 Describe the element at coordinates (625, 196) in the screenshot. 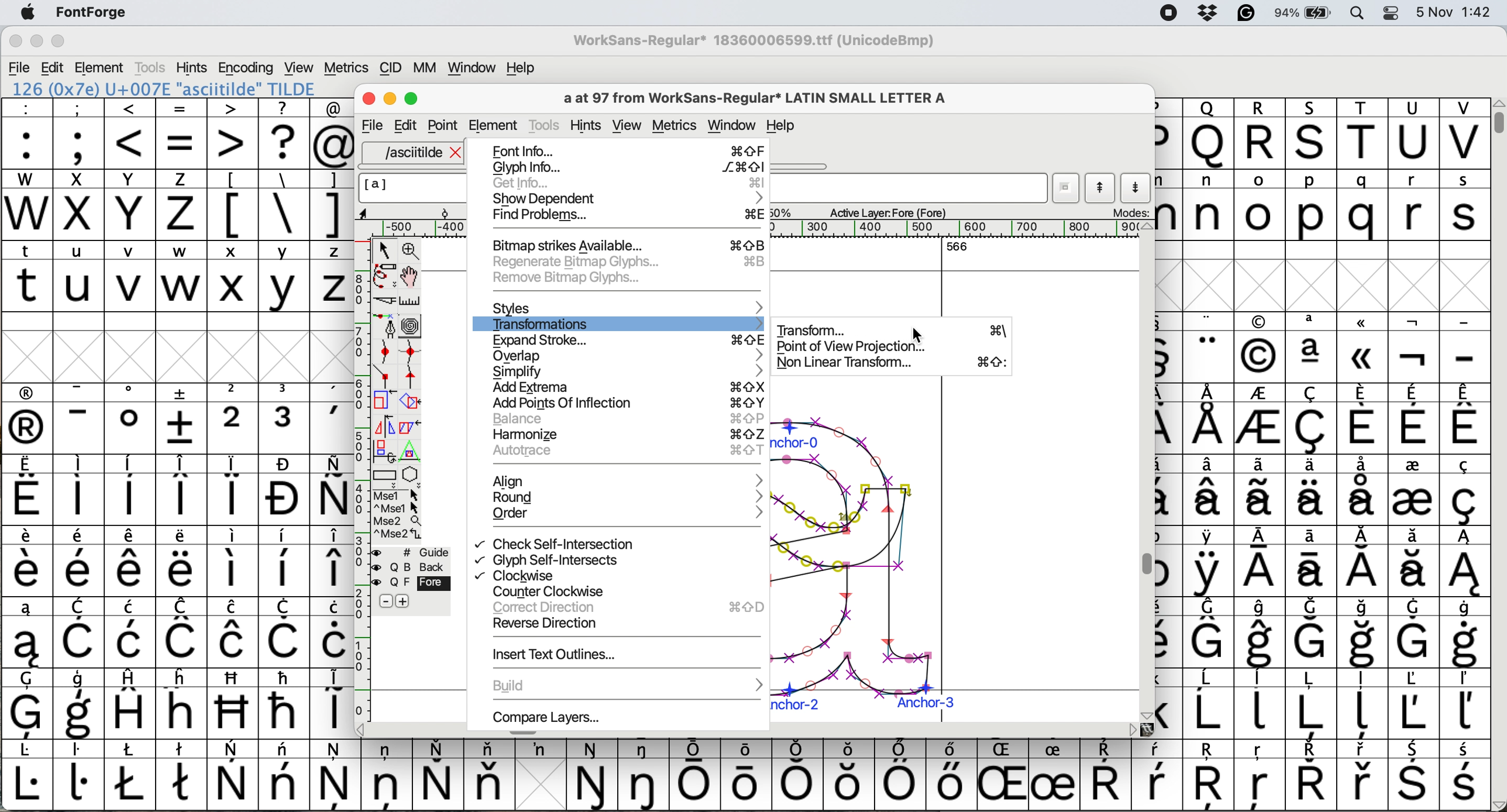

I see `show dependent` at that location.